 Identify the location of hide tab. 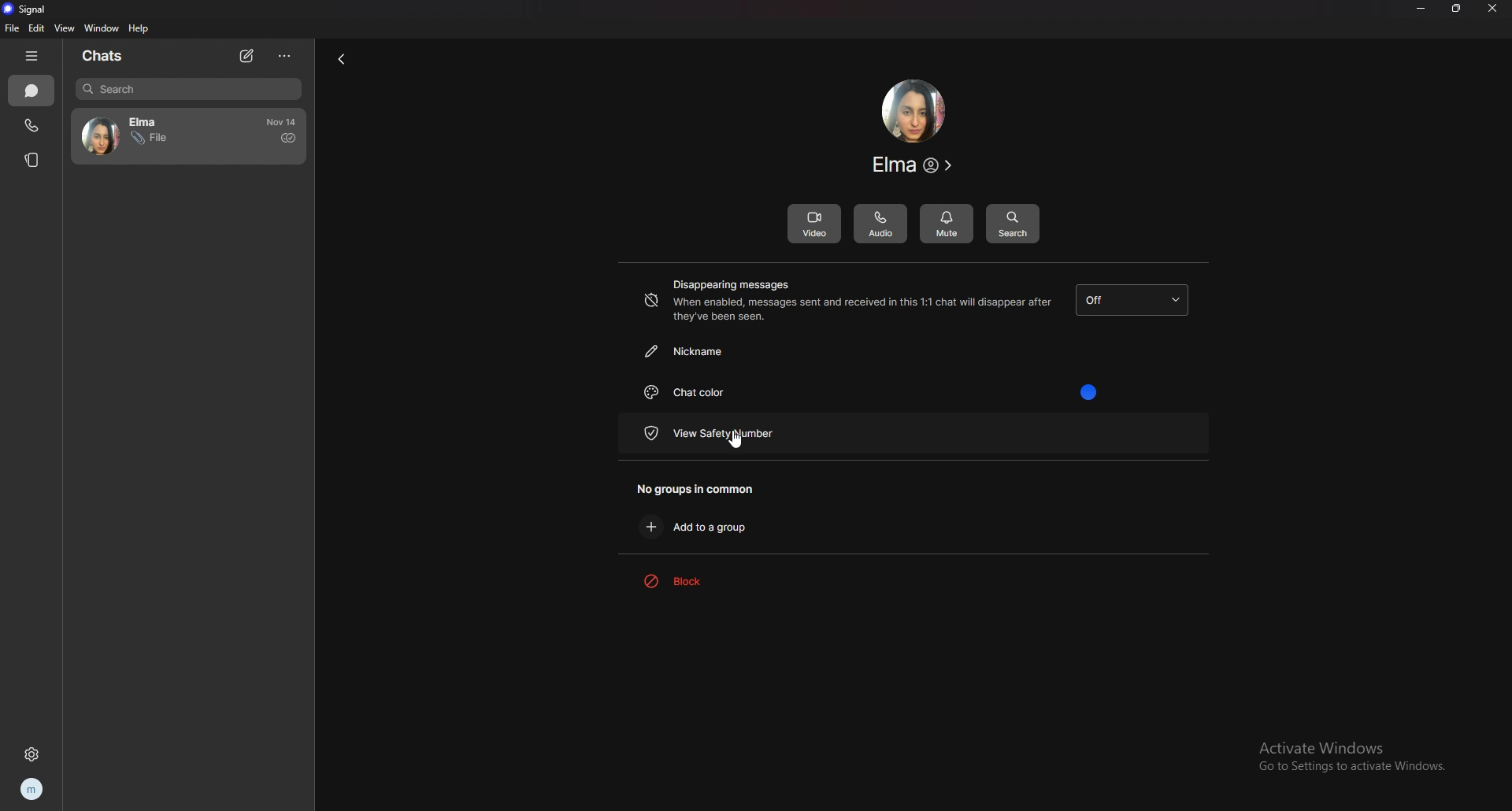
(34, 56).